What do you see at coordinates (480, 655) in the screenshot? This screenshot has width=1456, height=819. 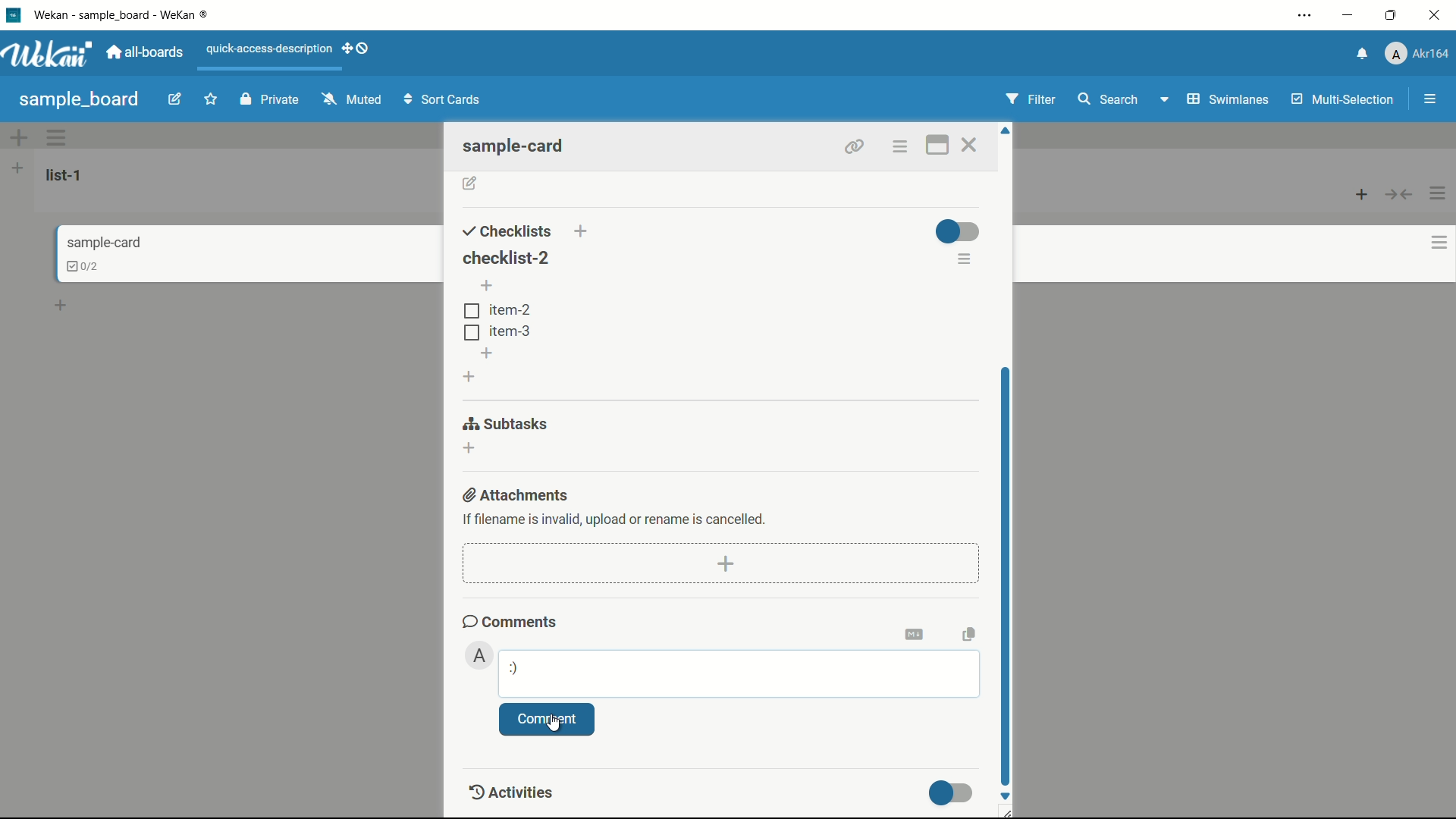 I see `admin` at bounding box center [480, 655].